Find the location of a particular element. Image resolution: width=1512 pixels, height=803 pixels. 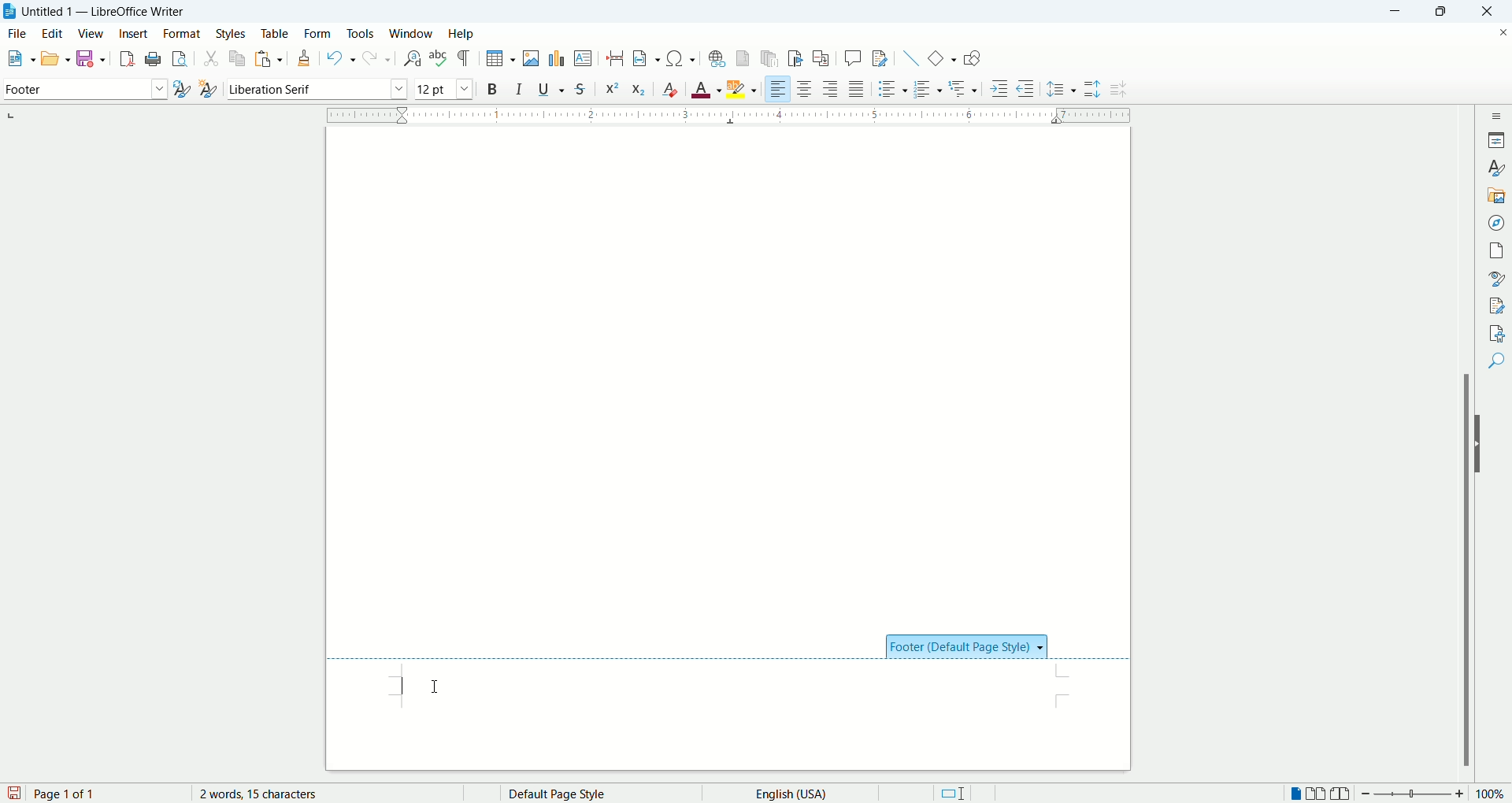

insert image is located at coordinates (534, 58).